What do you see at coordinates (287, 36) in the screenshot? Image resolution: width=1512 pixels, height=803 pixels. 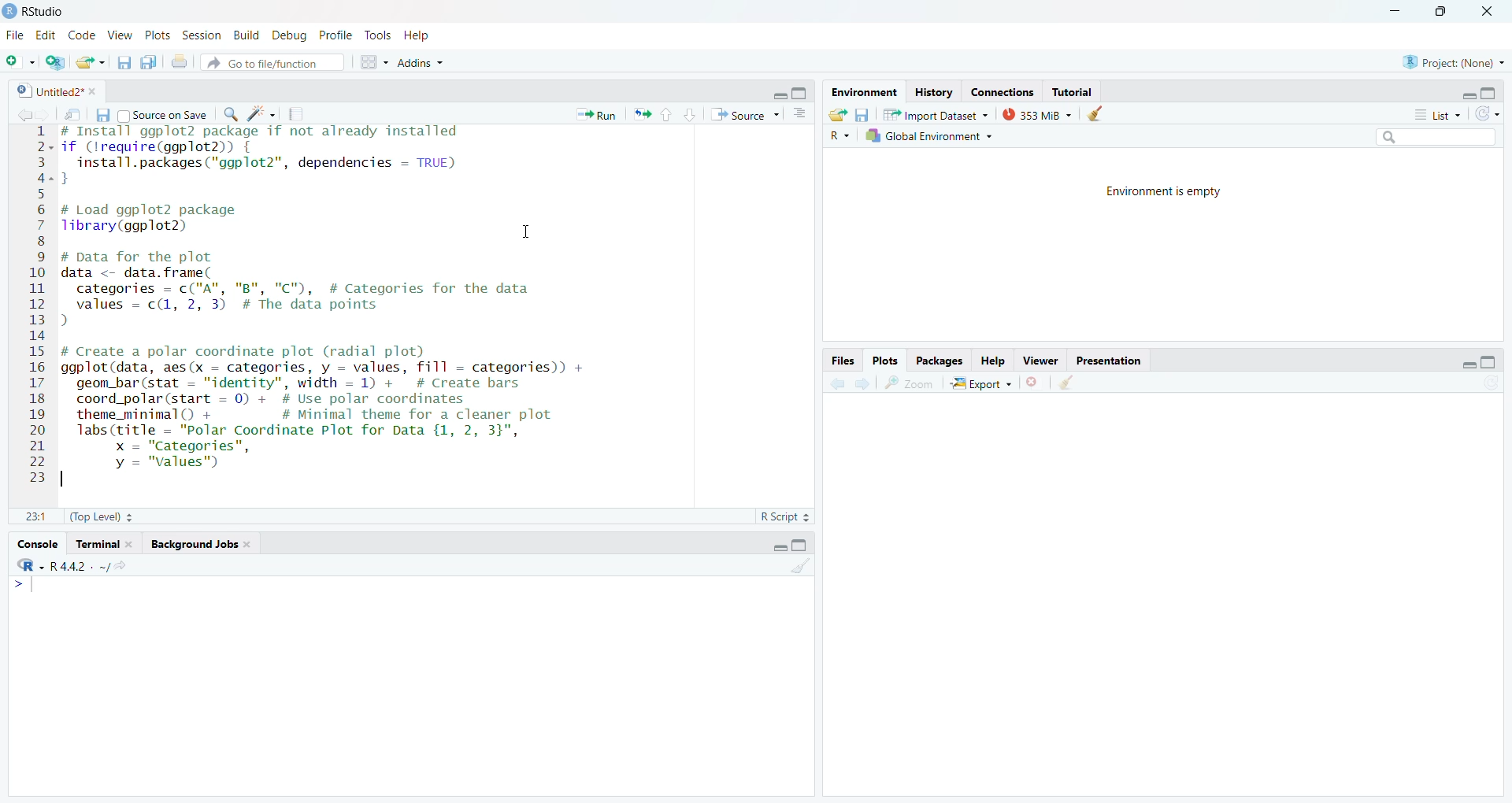 I see ` Debug` at bounding box center [287, 36].